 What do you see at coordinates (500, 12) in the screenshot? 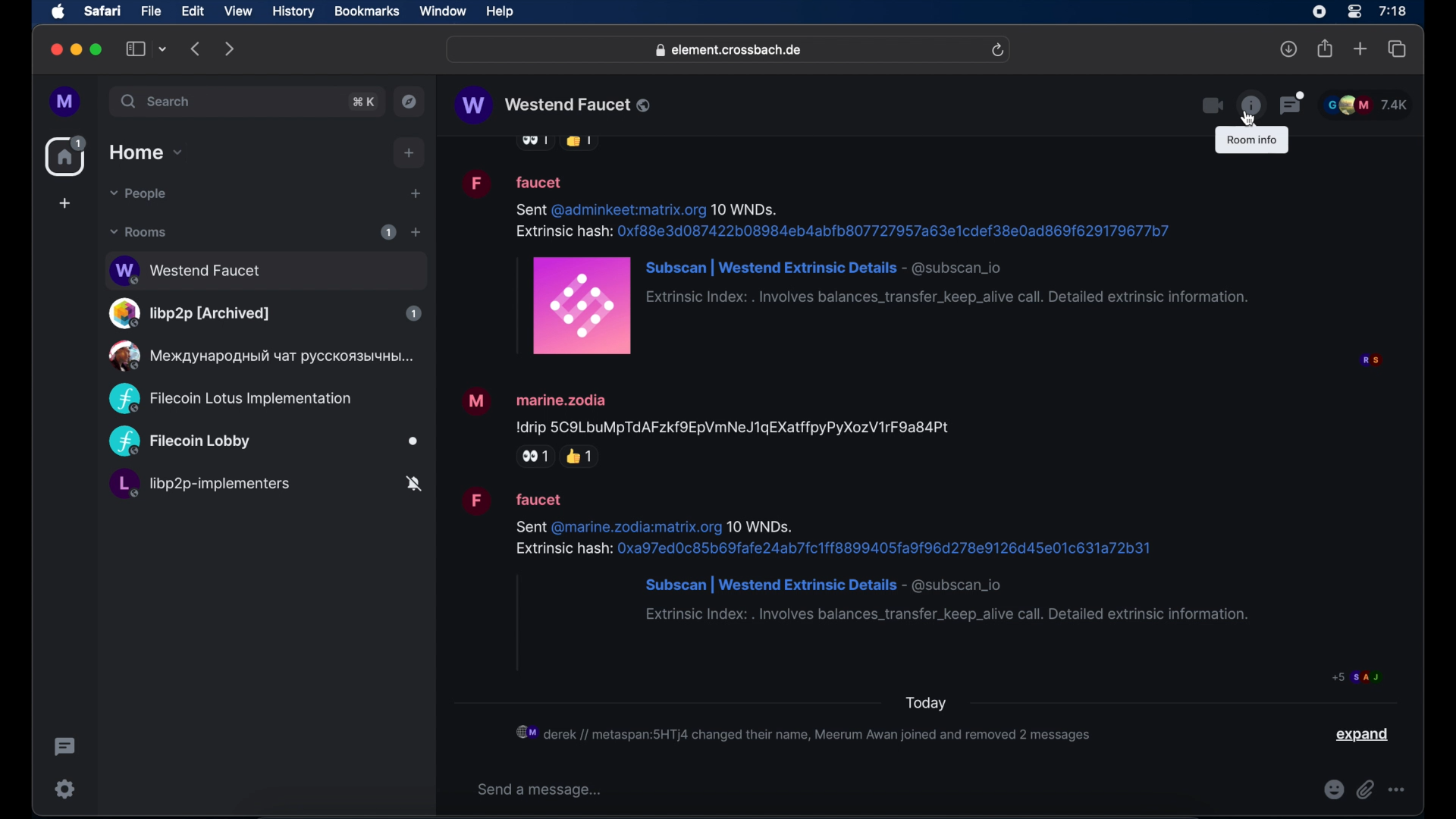
I see `help` at bounding box center [500, 12].